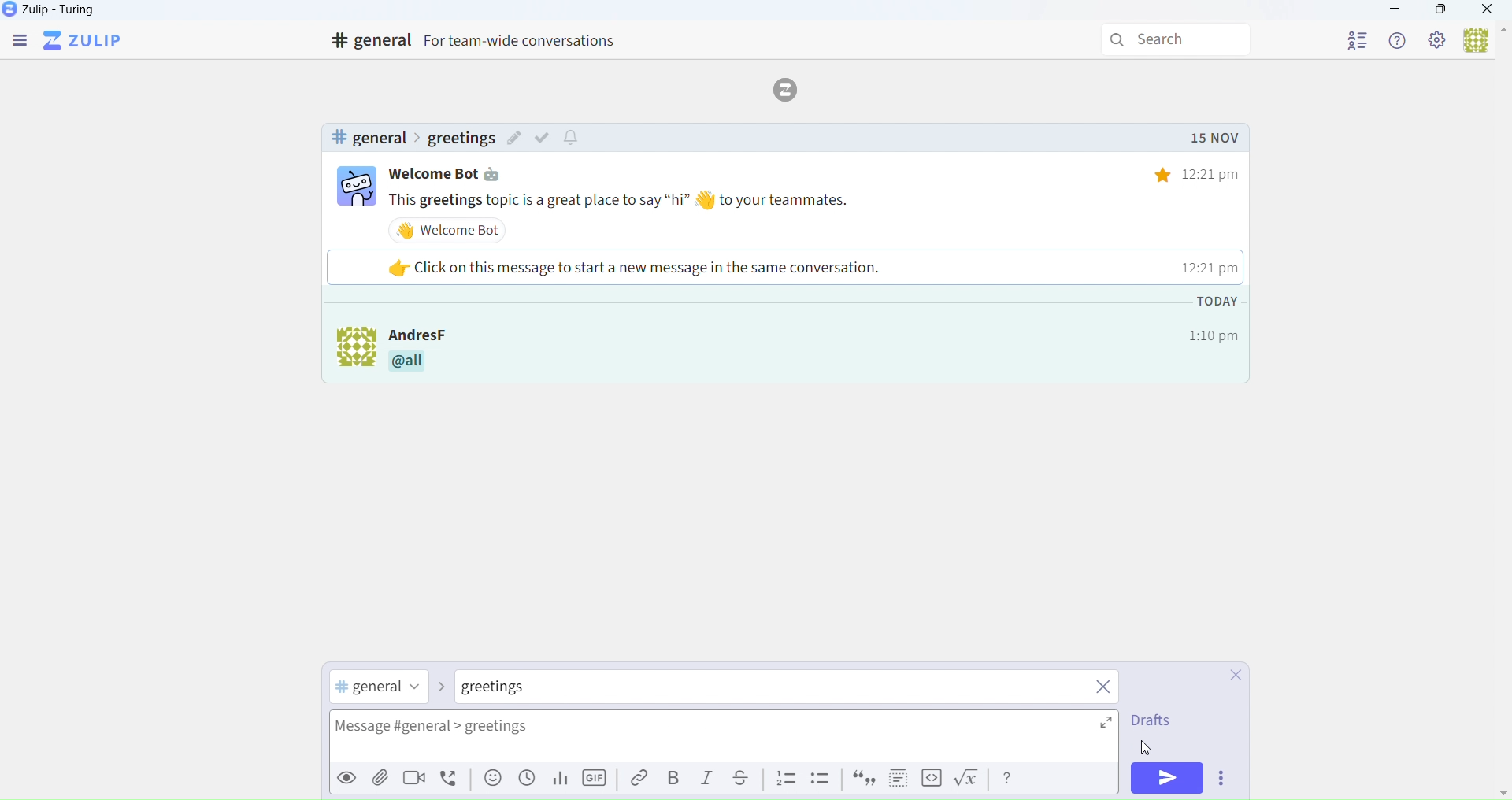 The height and width of the screenshot is (800, 1512). I want to click on Logo, so click(791, 88).